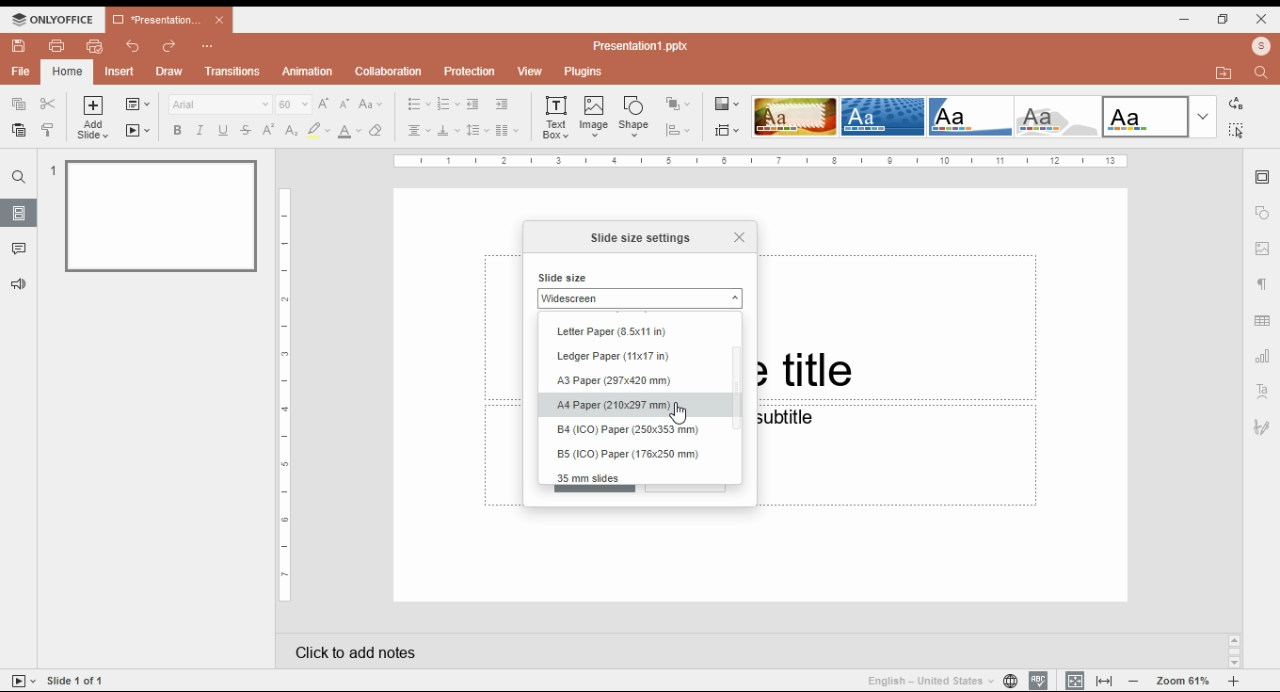 The width and height of the screenshot is (1280, 692). Describe the element at coordinates (66, 72) in the screenshot. I see `home` at that location.